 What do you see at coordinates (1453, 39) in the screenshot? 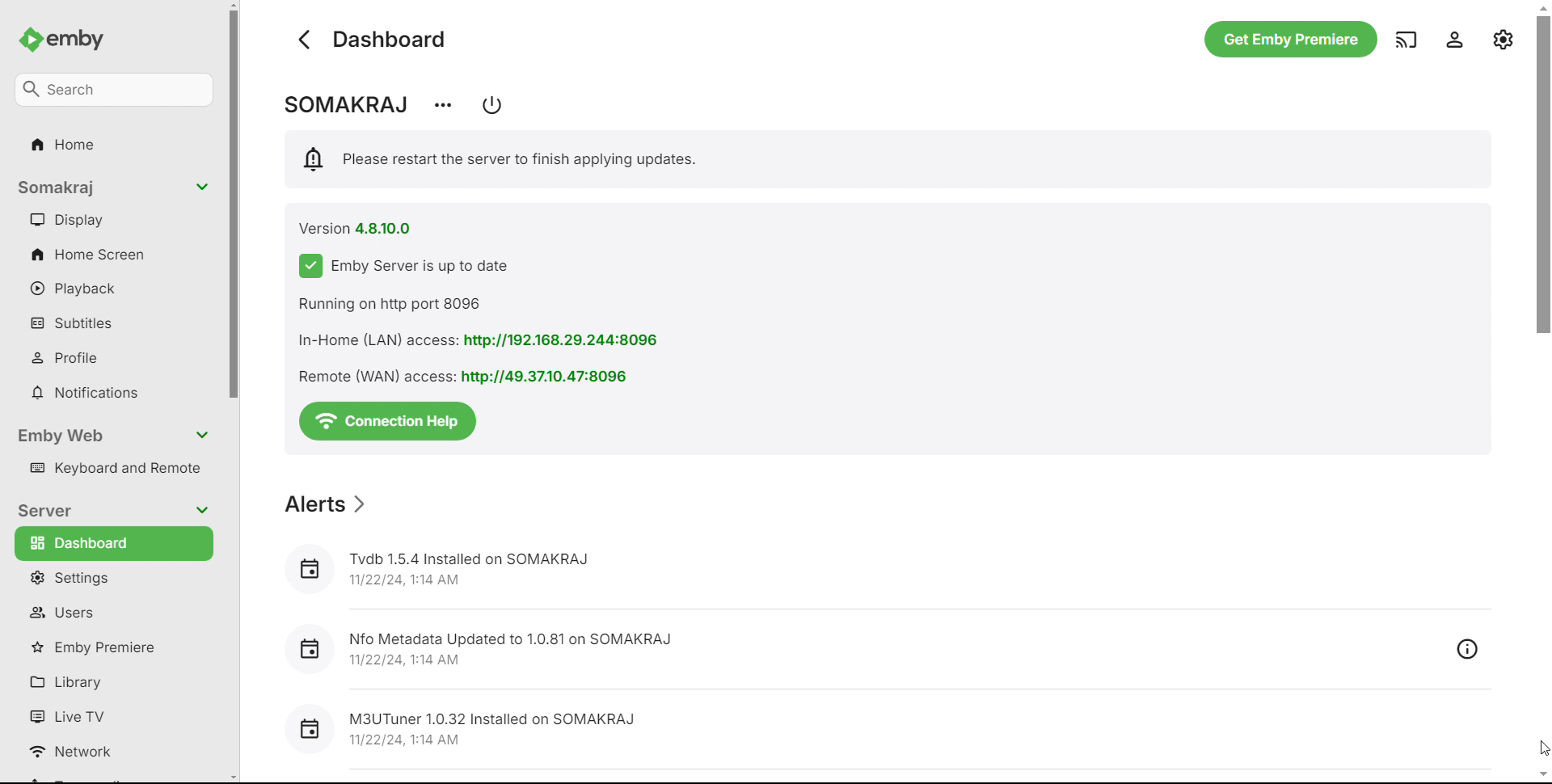
I see `account` at bounding box center [1453, 39].